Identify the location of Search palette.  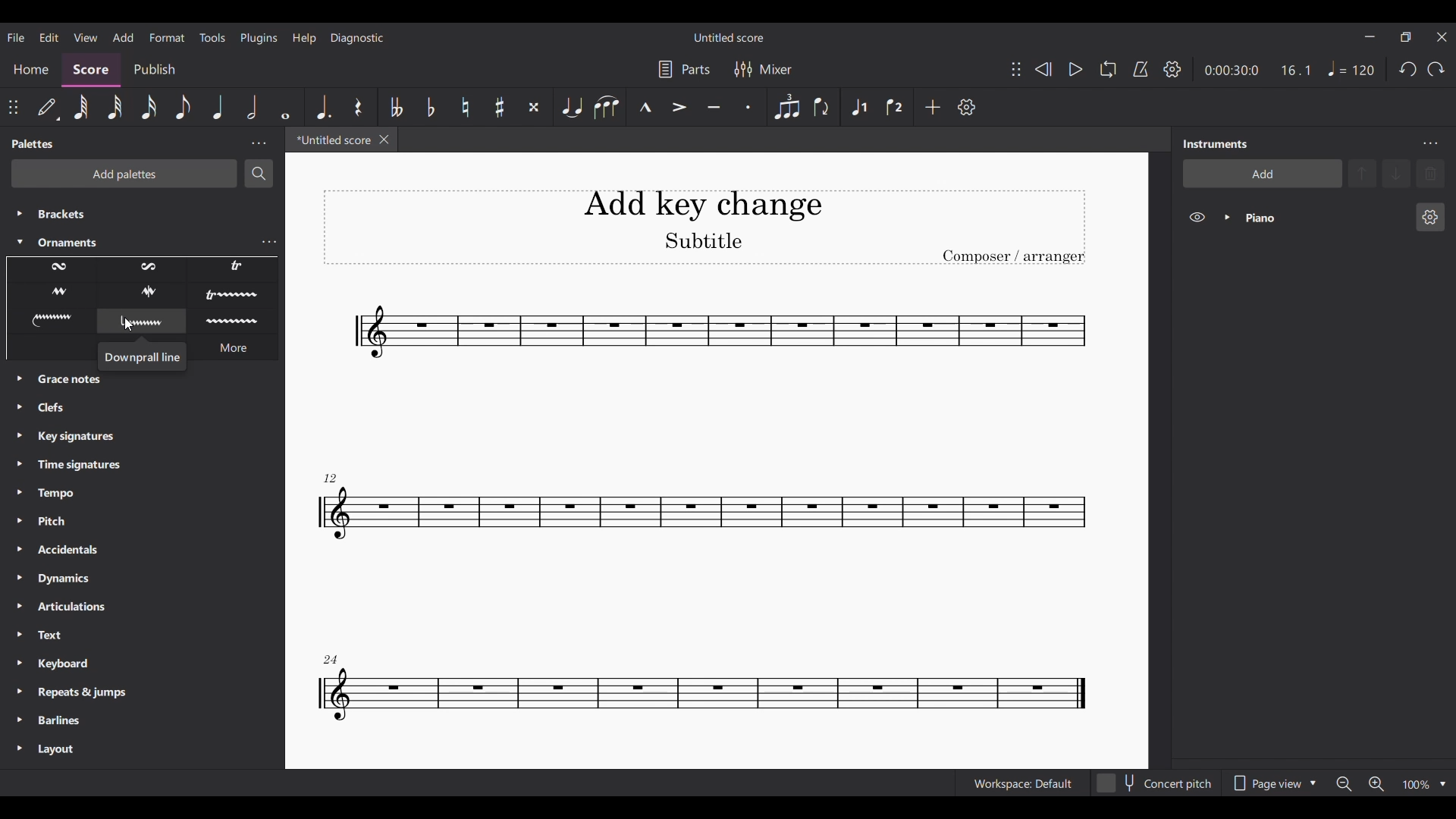
(258, 174).